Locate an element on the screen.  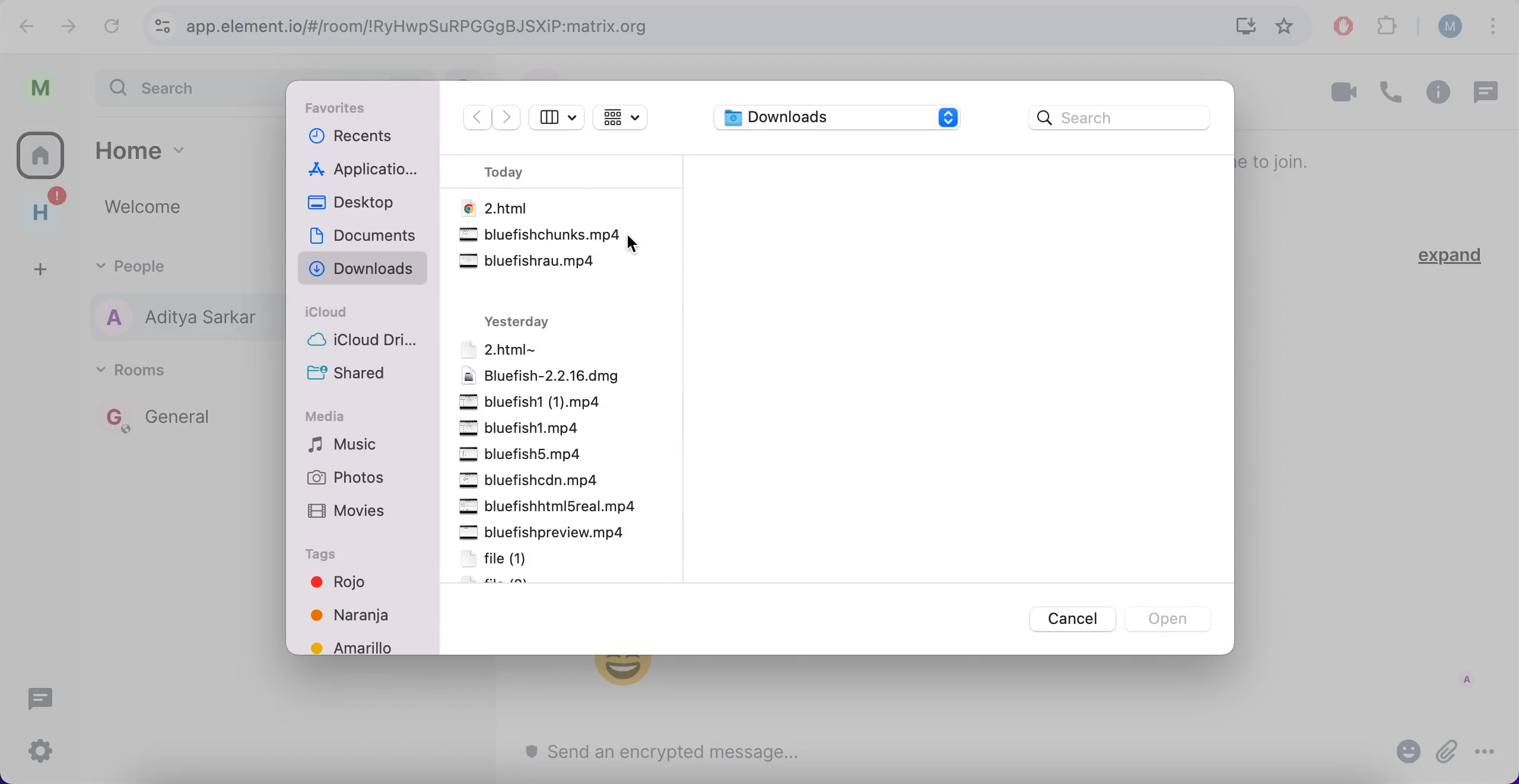
file is located at coordinates (520, 454).